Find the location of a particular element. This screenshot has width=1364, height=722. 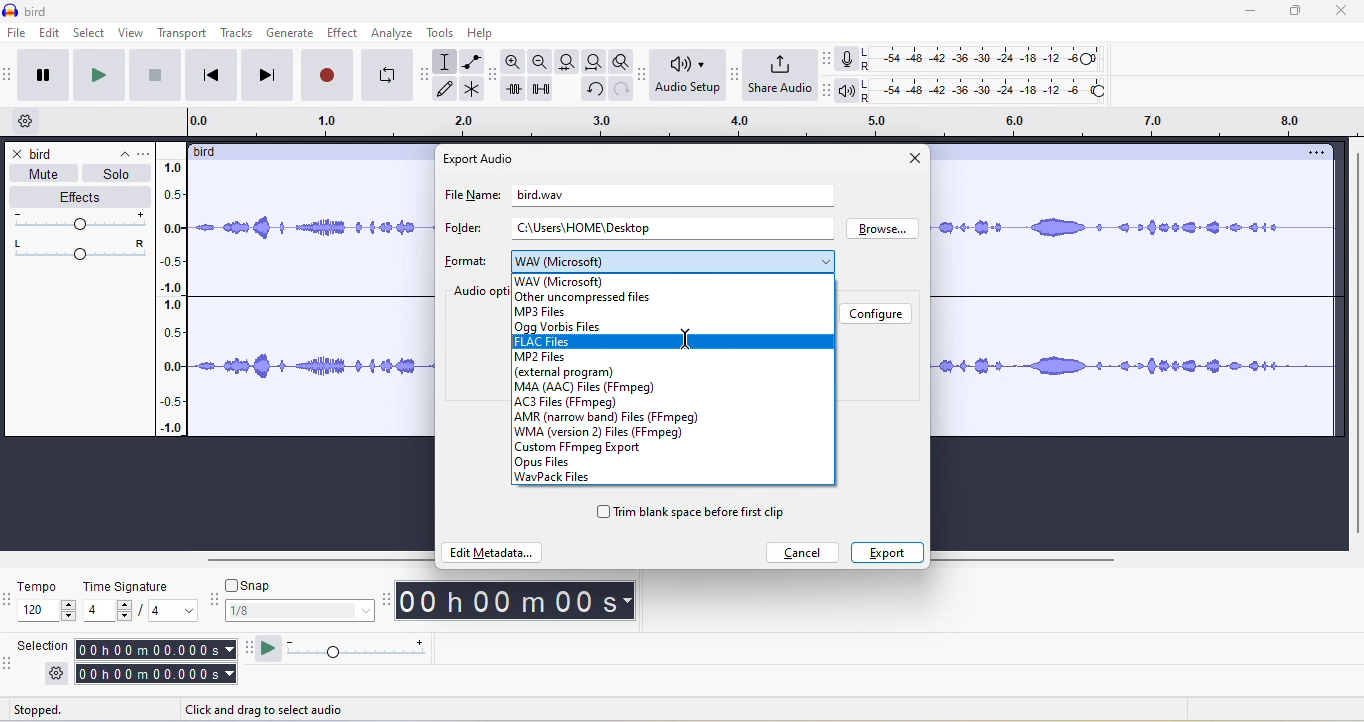

m4a is located at coordinates (588, 387).